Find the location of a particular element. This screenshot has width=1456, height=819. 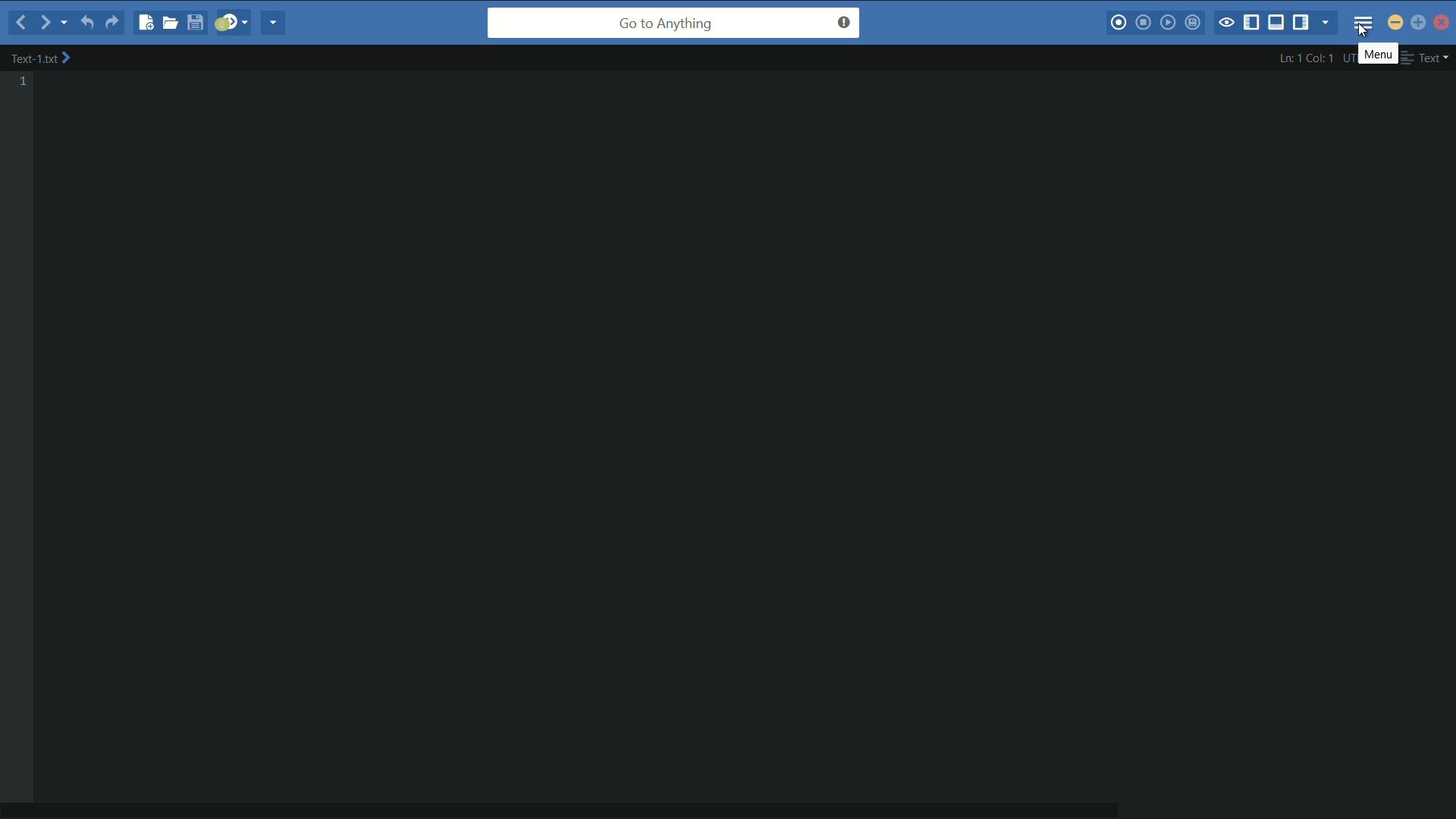

close app is located at coordinates (1441, 23).